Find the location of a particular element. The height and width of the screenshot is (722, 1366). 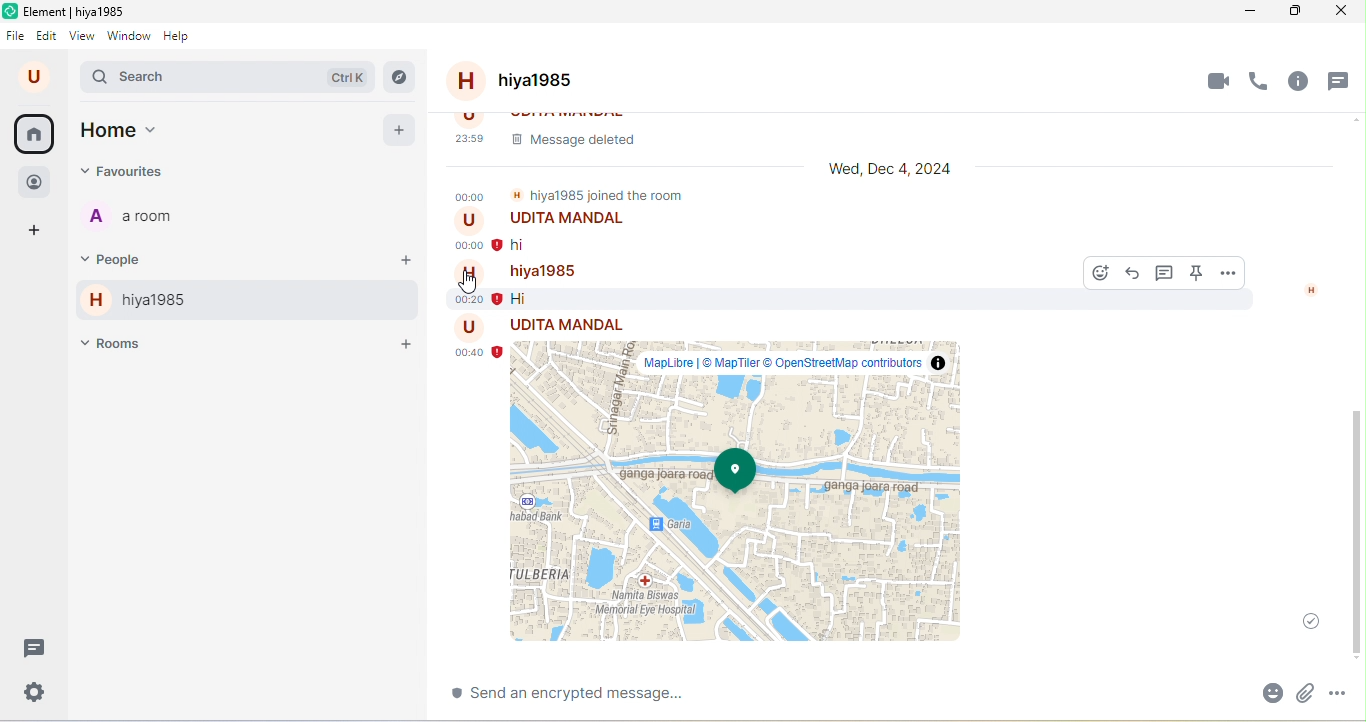

message deleted info is located at coordinates (876, 132).